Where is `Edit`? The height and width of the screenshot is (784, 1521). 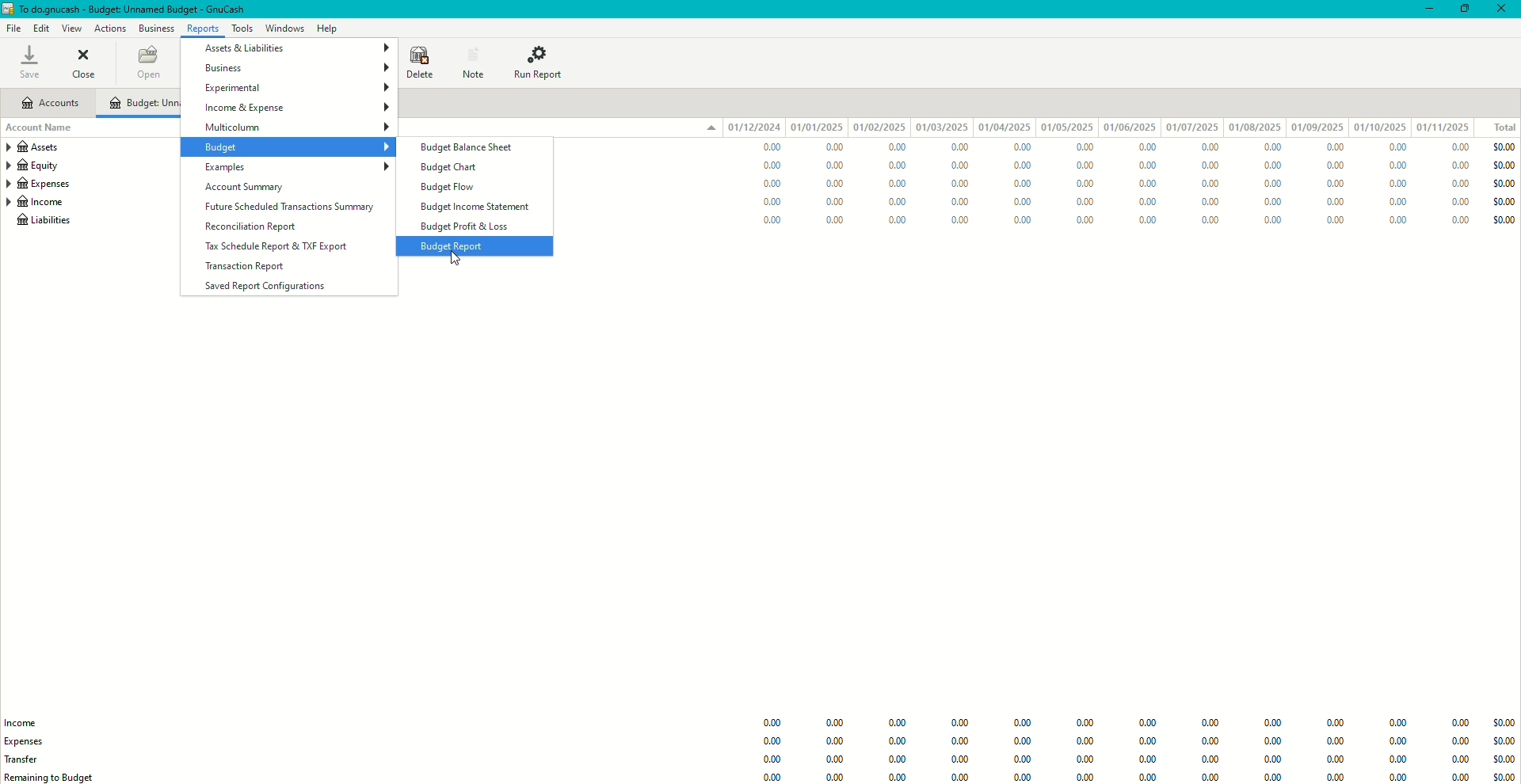
Edit is located at coordinates (42, 29).